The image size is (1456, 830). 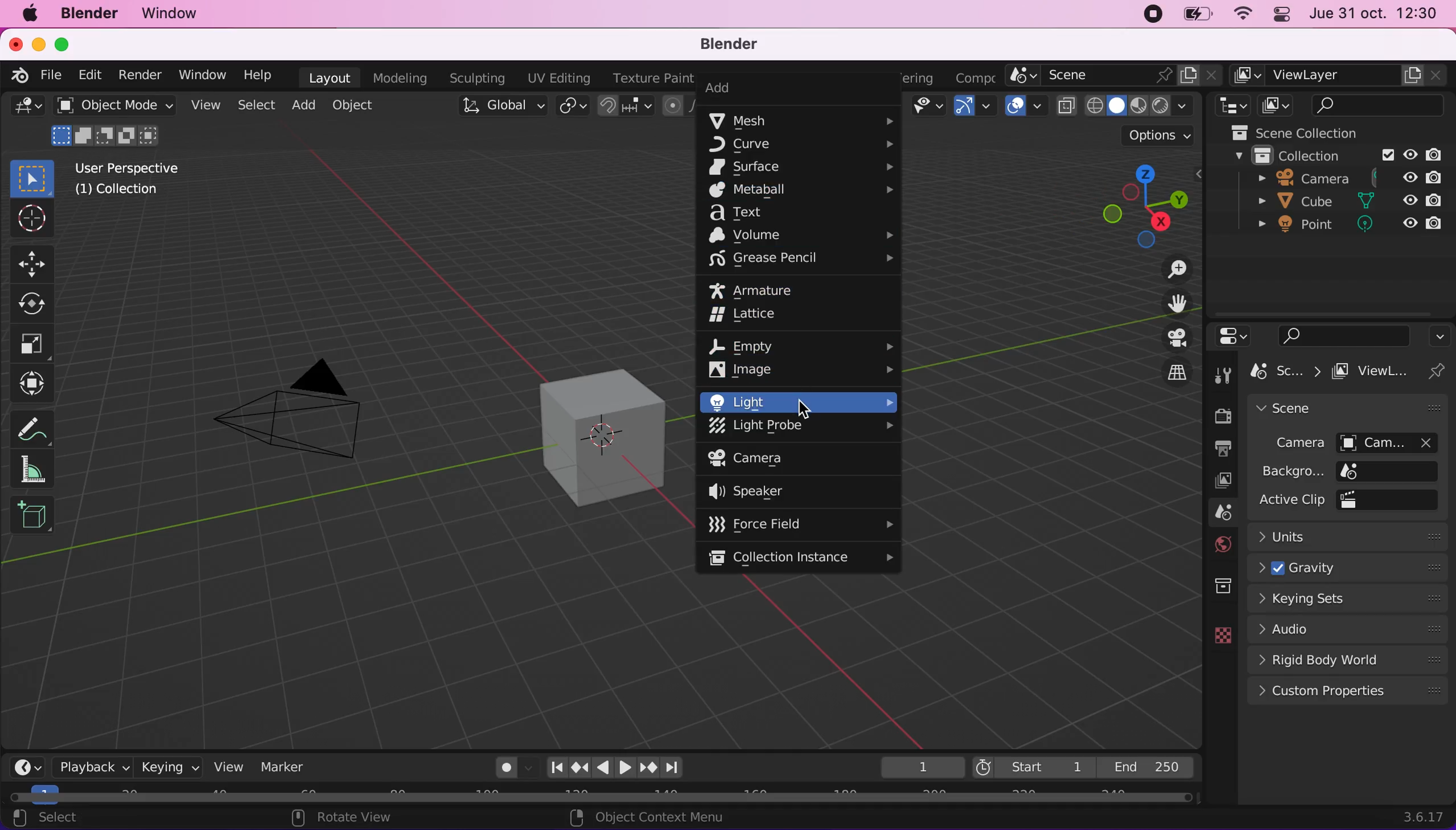 I want to click on measure, so click(x=35, y=471).